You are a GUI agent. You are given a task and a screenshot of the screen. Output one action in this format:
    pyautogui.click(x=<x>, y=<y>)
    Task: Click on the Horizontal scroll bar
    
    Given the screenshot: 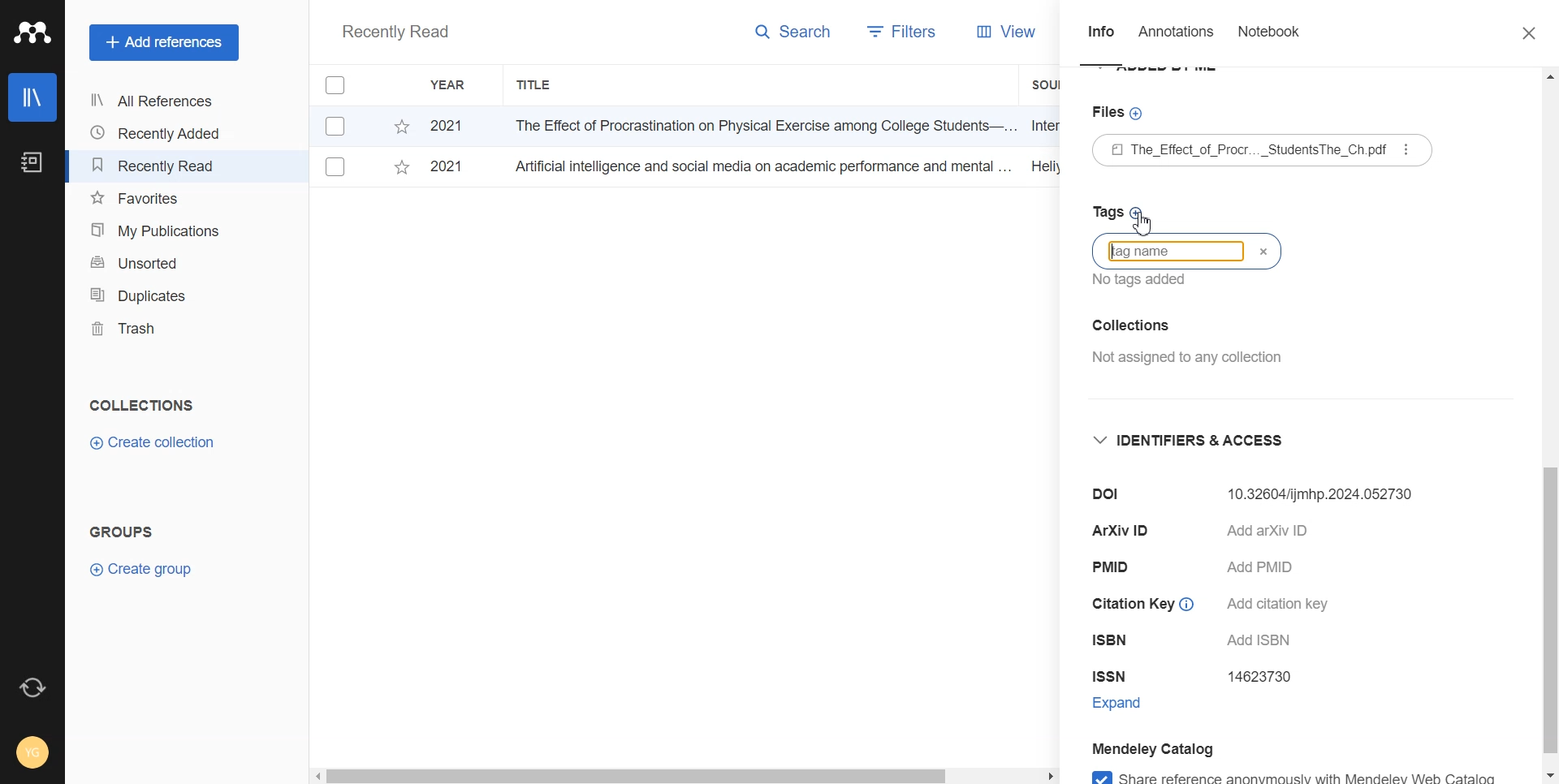 What is the action you would take?
    pyautogui.click(x=684, y=774)
    